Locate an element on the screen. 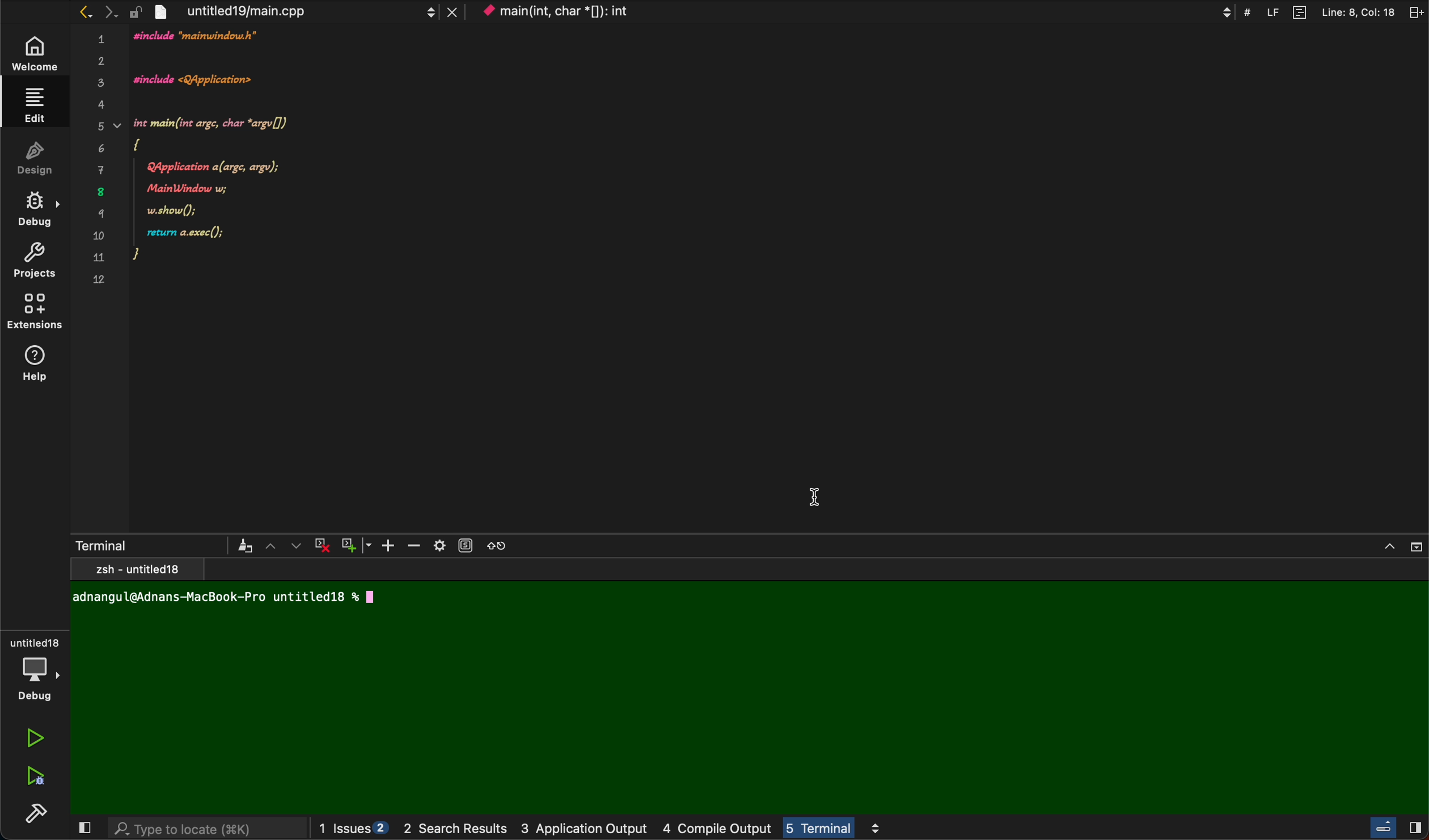 The width and height of the screenshot is (1429, 840). close is located at coordinates (82, 829).